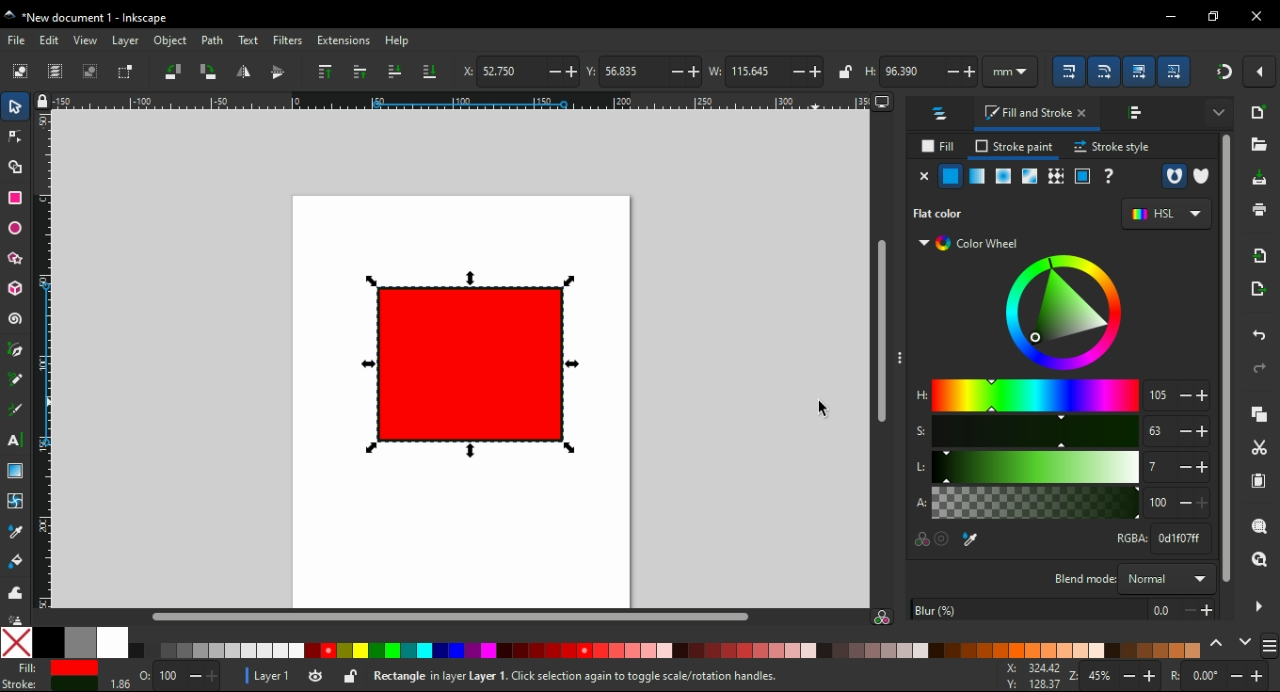  I want to click on visibility, so click(314, 677).